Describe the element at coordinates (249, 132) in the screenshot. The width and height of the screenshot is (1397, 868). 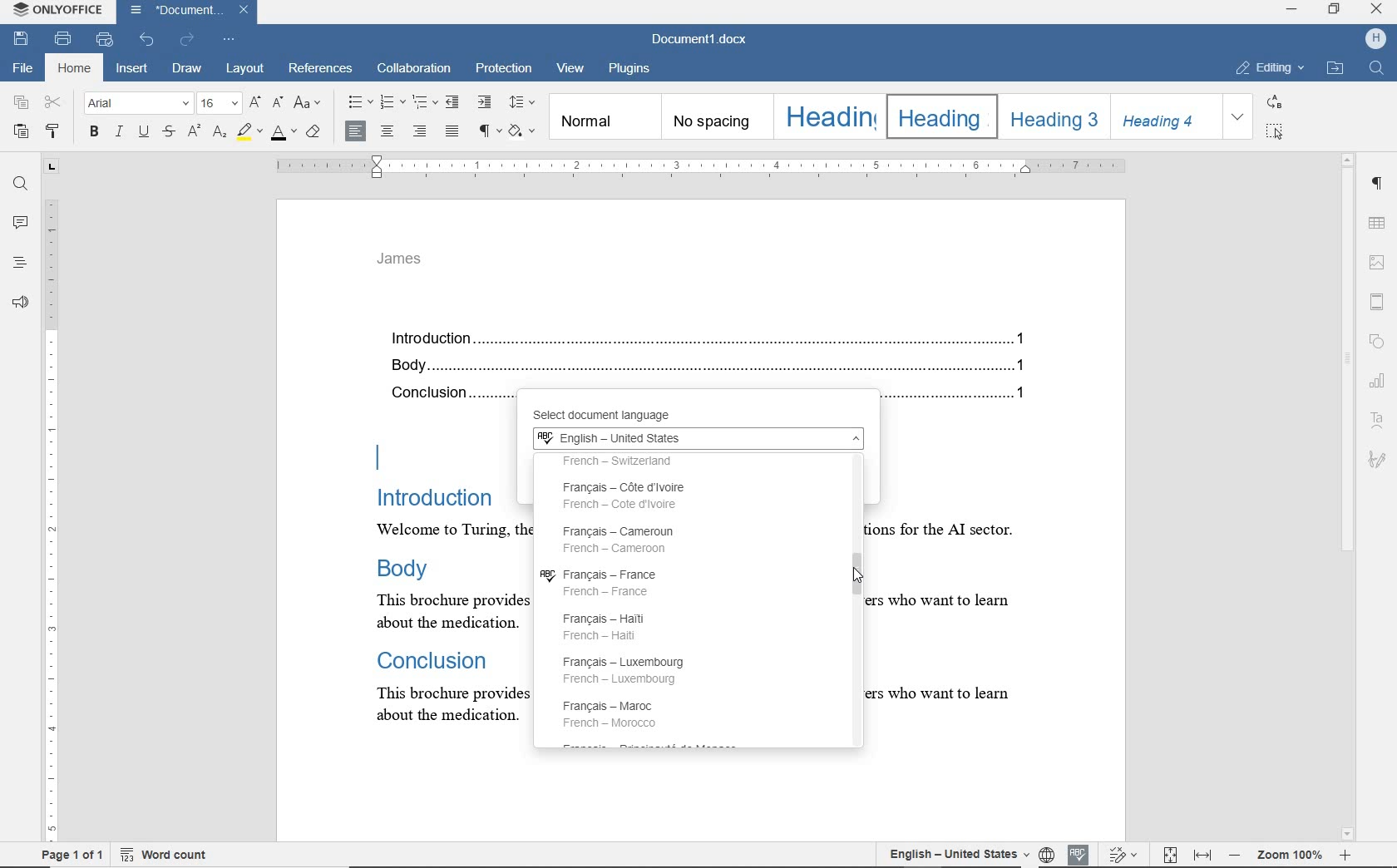
I see `highlight color` at that location.